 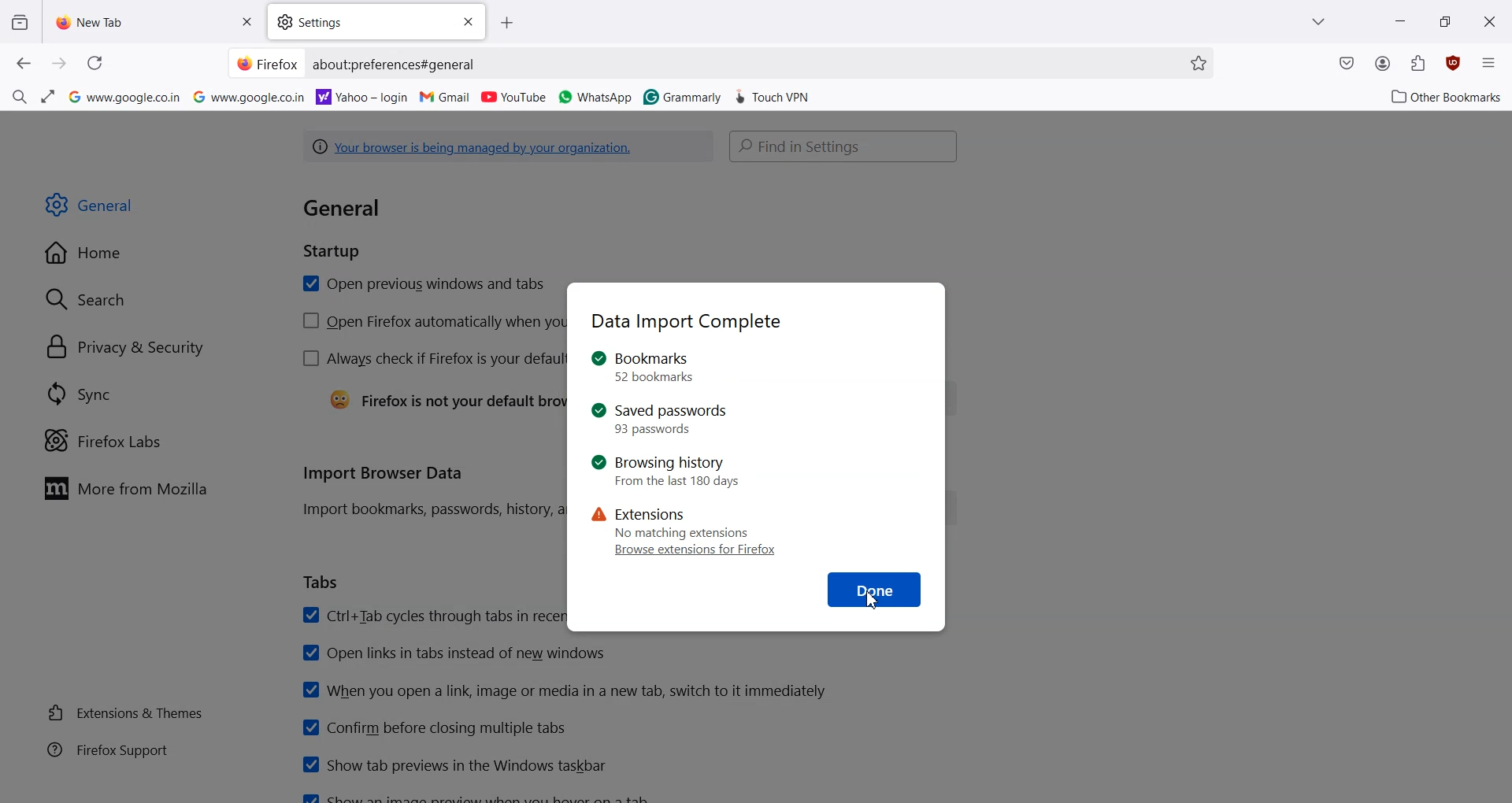 I want to click on Show an image preview when you hover on a tab, so click(x=480, y=796).